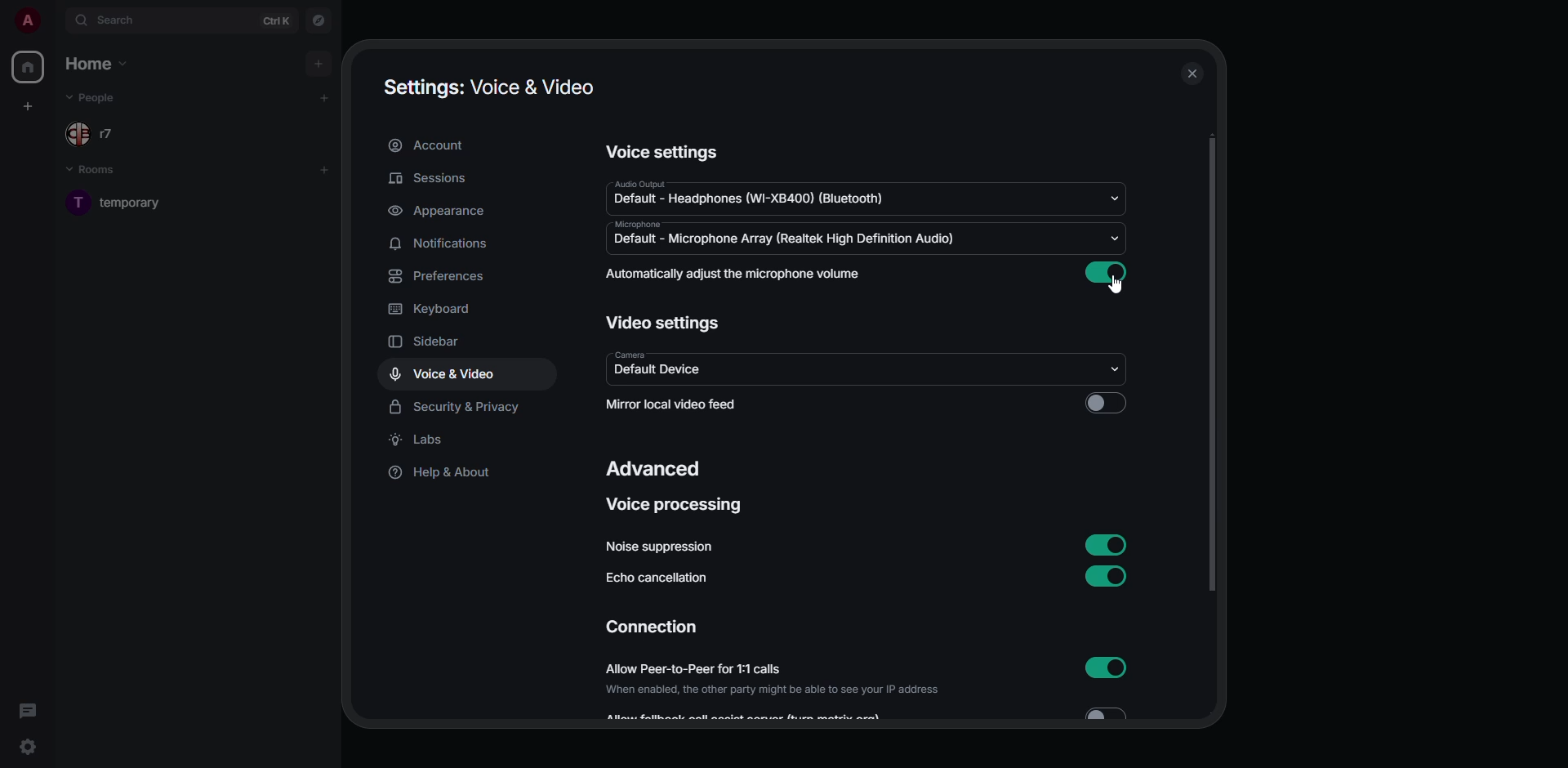 The width and height of the screenshot is (1568, 768). I want to click on noise suppression, so click(670, 545).